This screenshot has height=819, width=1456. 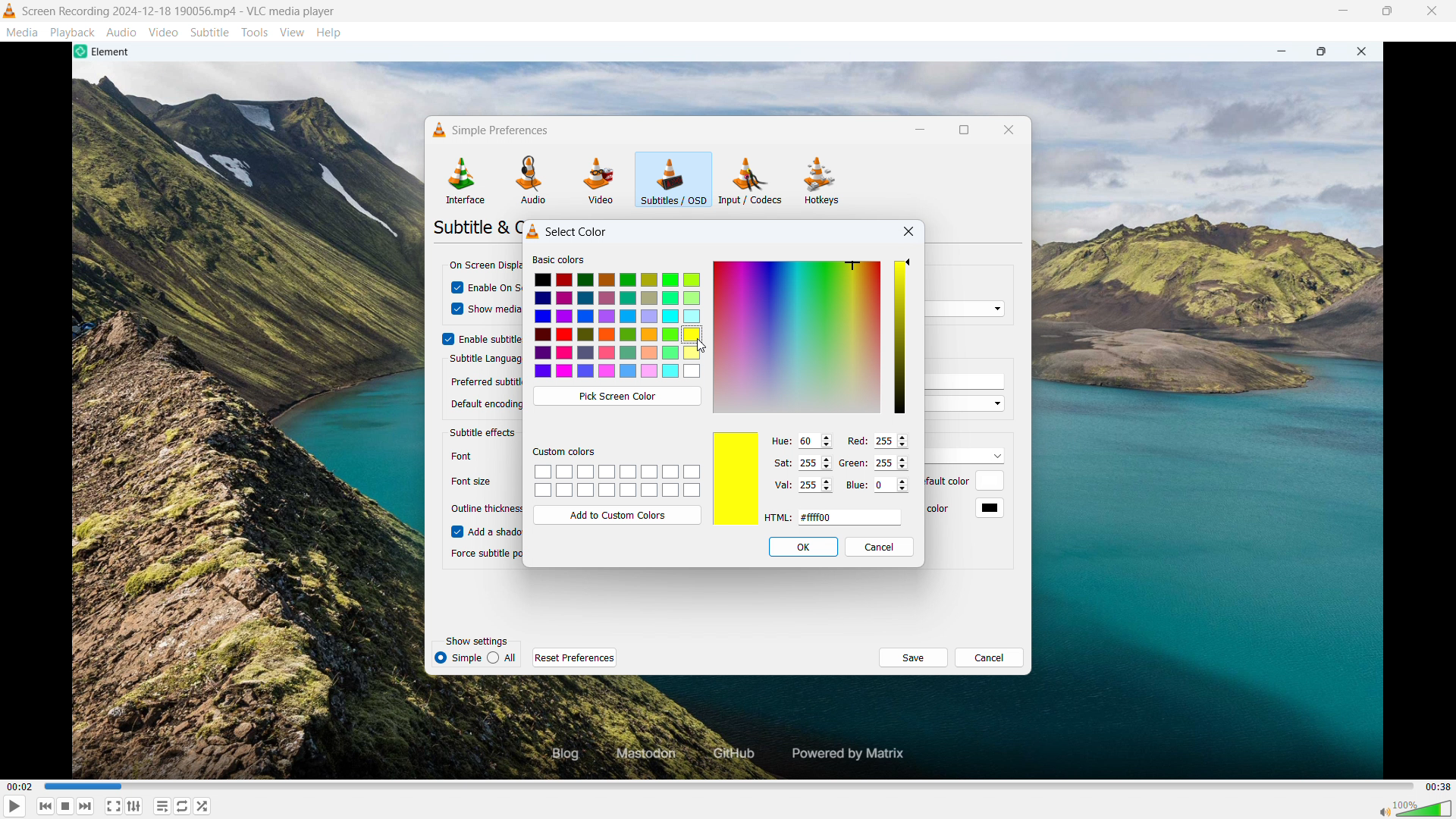 What do you see at coordinates (533, 180) in the screenshot?
I see `Audio ` at bounding box center [533, 180].